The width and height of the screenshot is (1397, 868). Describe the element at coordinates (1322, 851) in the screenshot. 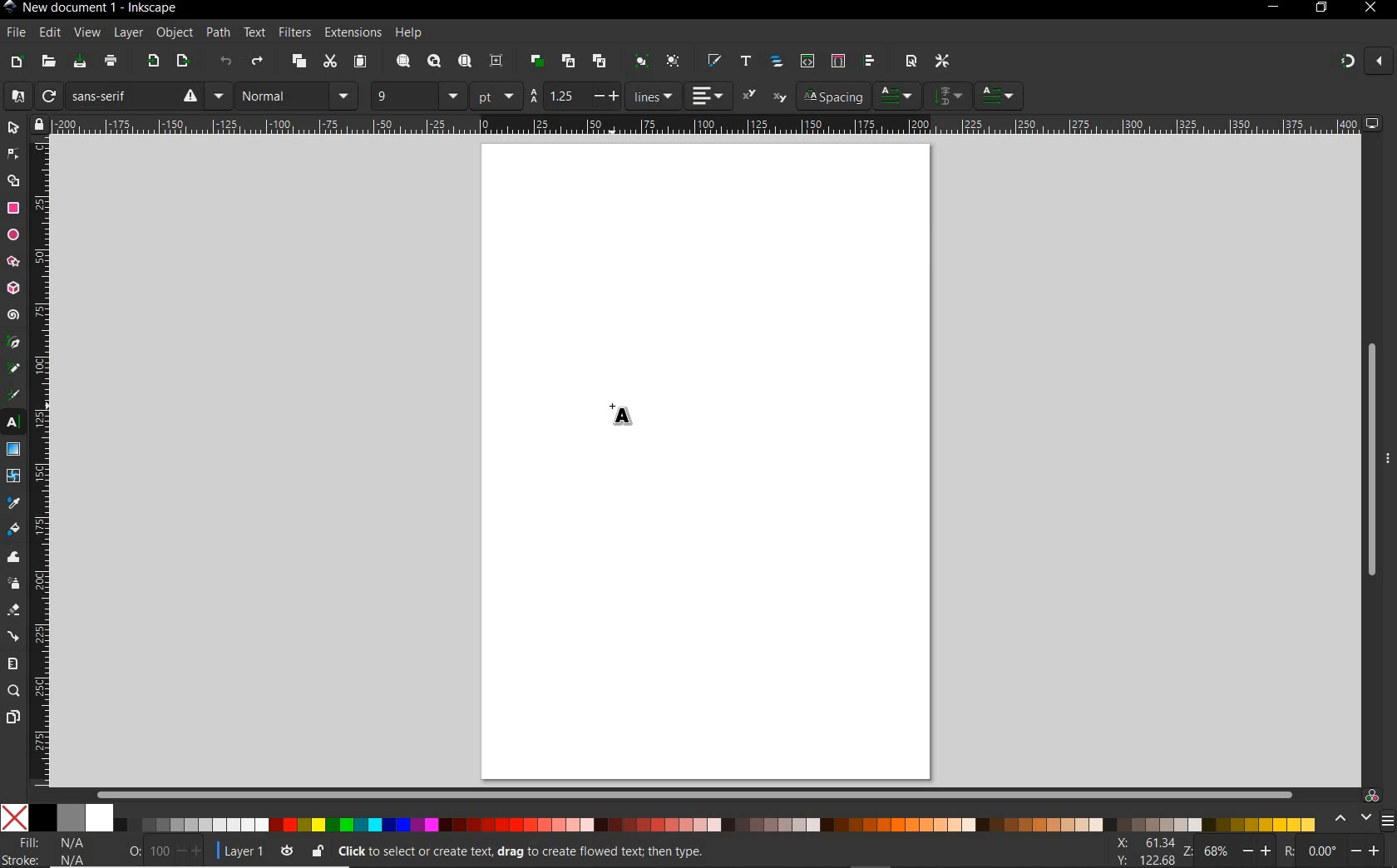

I see `0` at that location.